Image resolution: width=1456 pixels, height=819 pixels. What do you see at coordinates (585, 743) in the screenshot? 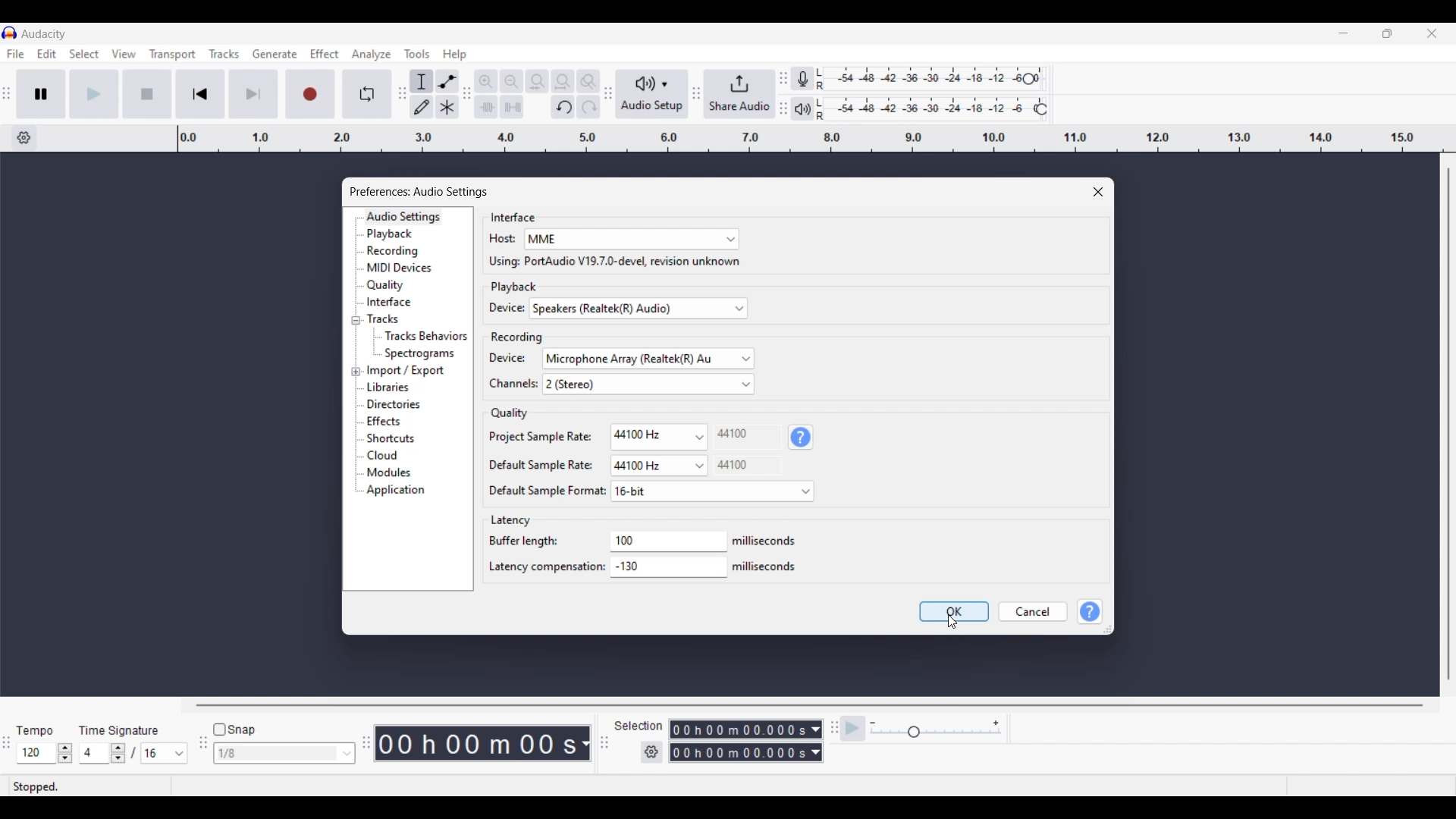
I see `Metrics to calculate recording` at bounding box center [585, 743].